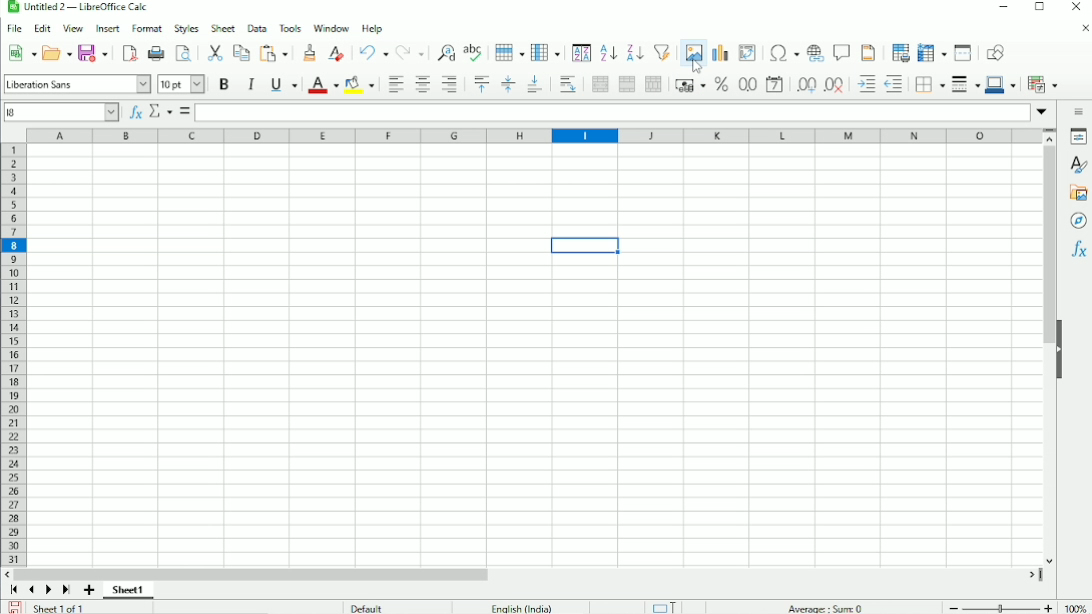  I want to click on Freeze rows and columns, so click(931, 52).